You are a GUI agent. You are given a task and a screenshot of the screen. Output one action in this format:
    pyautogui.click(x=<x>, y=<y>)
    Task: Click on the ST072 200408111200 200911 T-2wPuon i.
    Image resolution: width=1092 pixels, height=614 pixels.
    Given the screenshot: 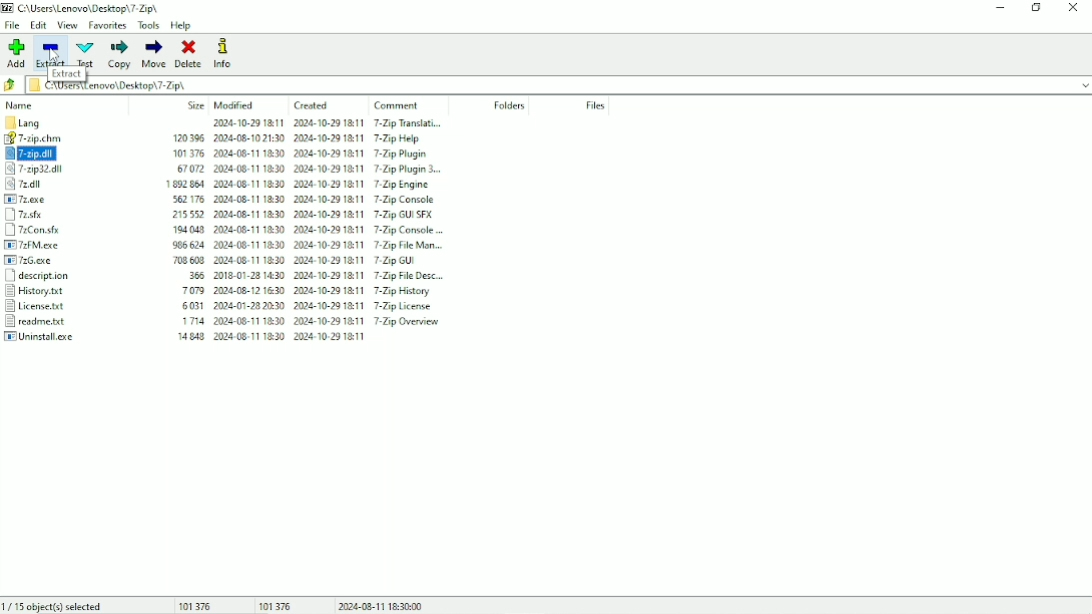 What is the action you would take?
    pyautogui.click(x=320, y=168)
    